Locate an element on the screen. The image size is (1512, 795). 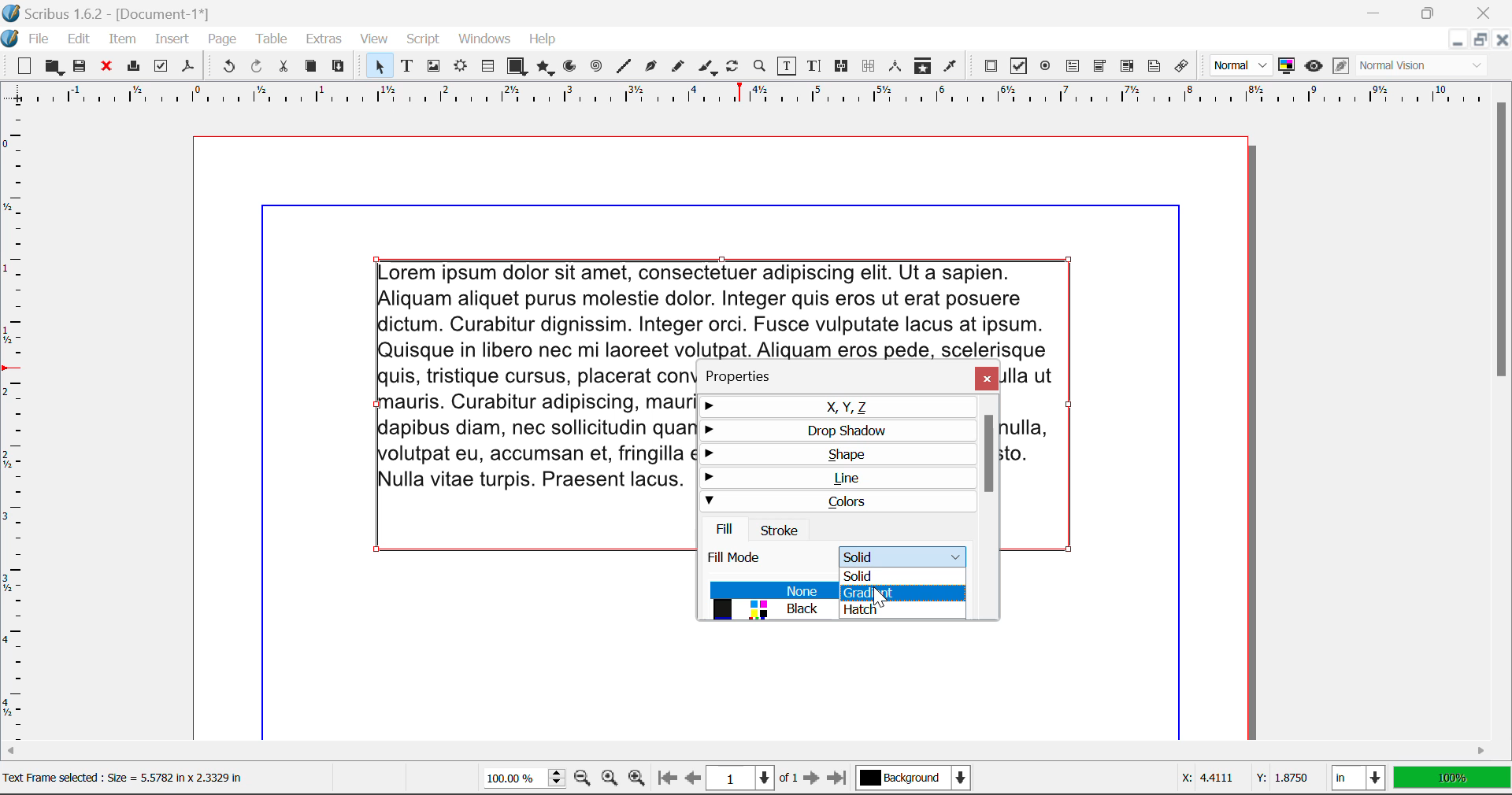
Gradient is located at coordinates (899, 594).